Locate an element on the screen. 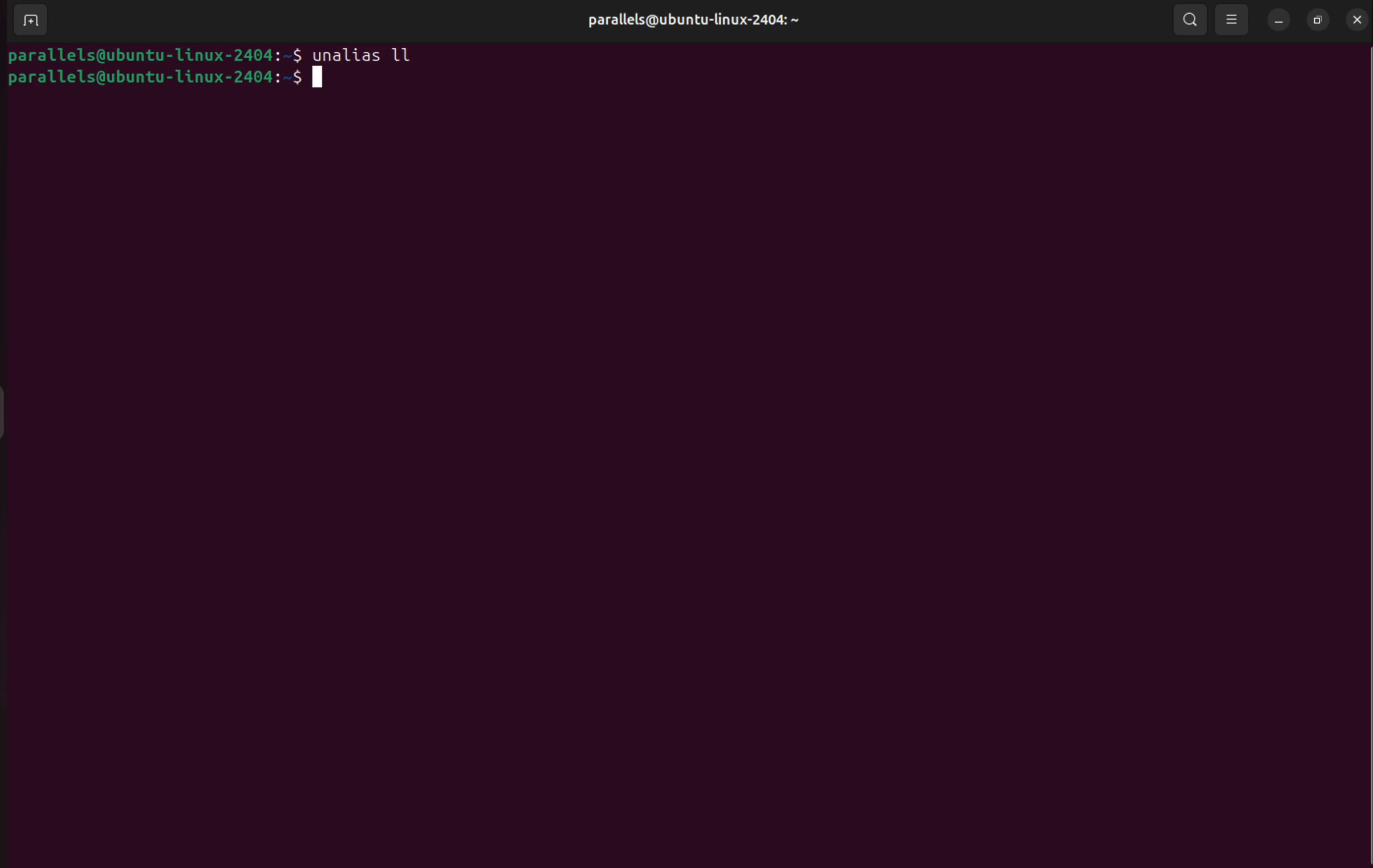  resize is located at coordinates (1317, 17).